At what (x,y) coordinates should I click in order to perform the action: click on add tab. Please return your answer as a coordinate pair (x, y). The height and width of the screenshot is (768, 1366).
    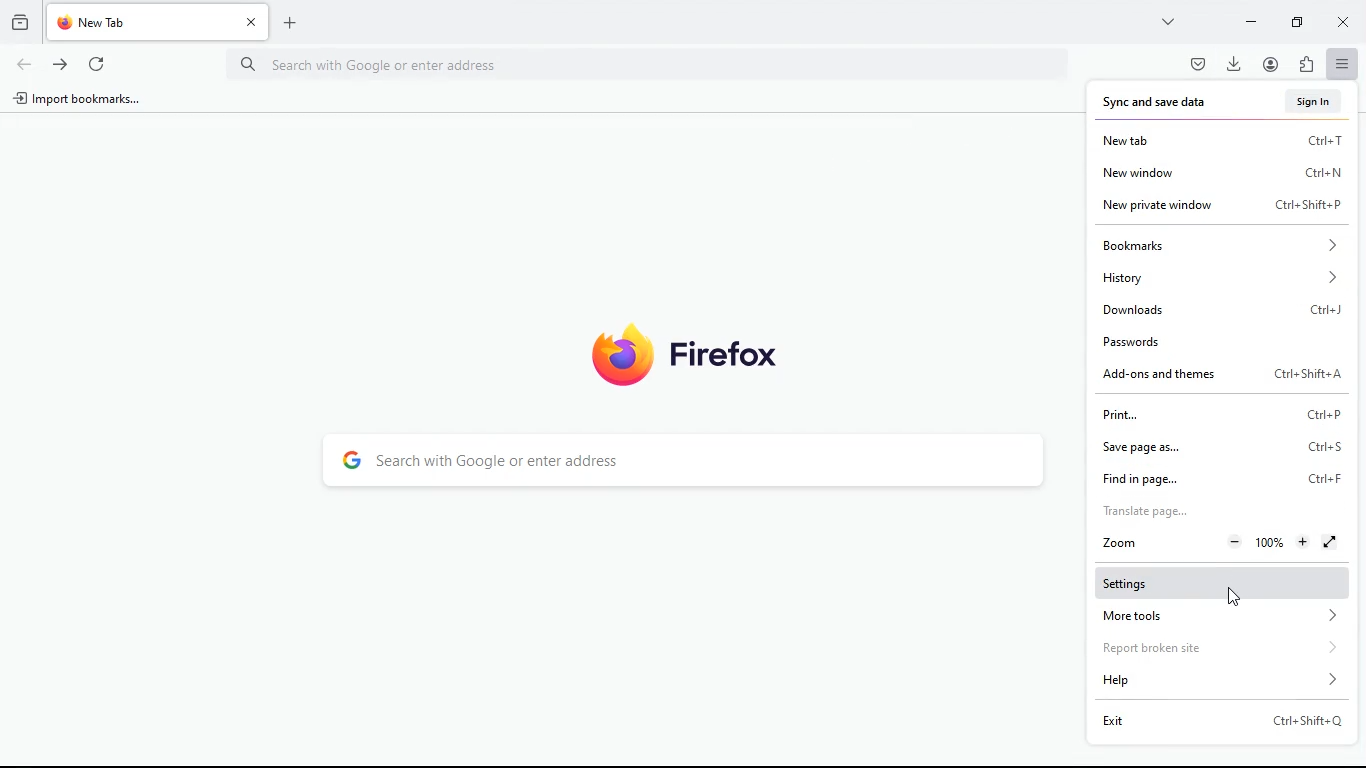
    Looking at the image, I should click on (295, 22).